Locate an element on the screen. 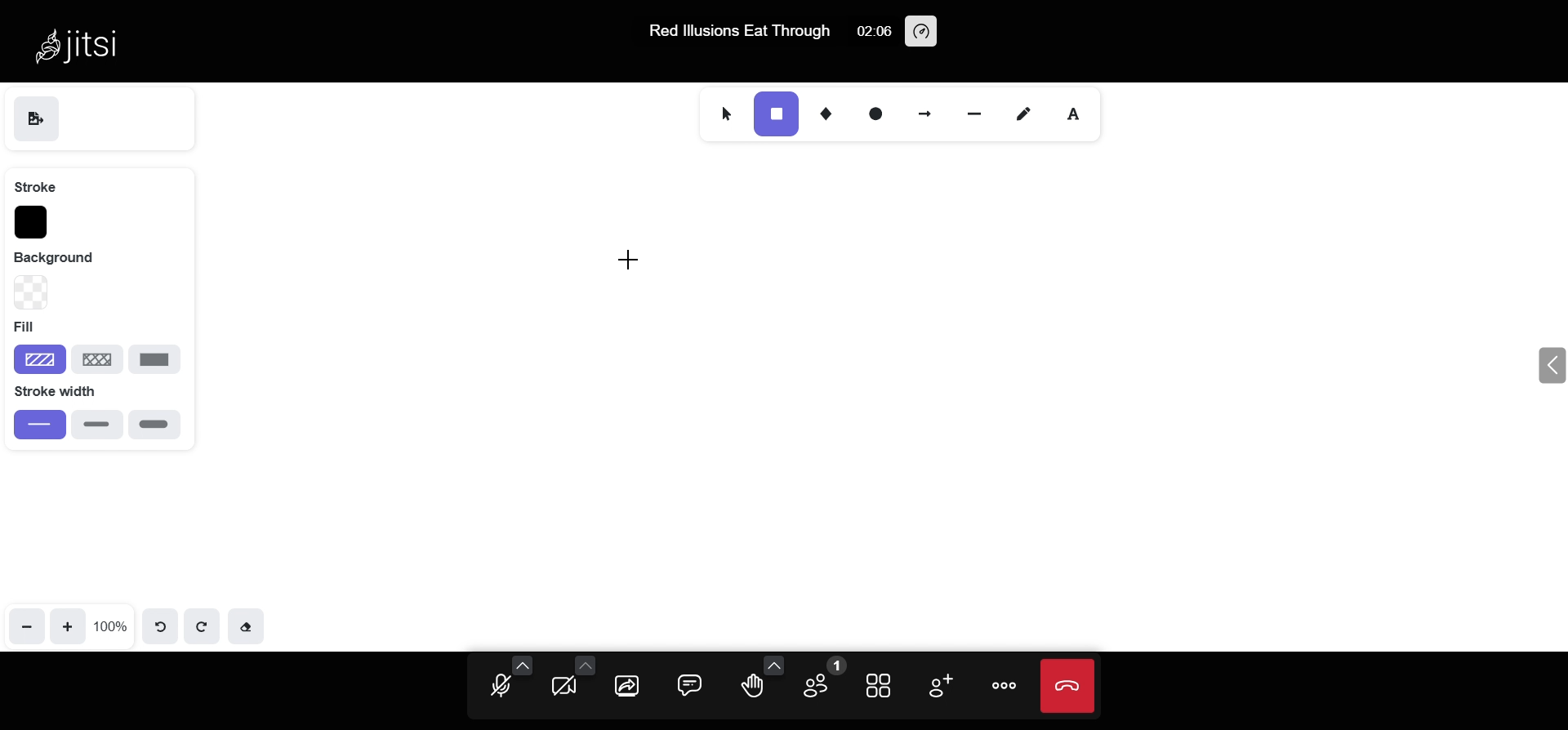  raise hand is located at coordinates (751, 688).